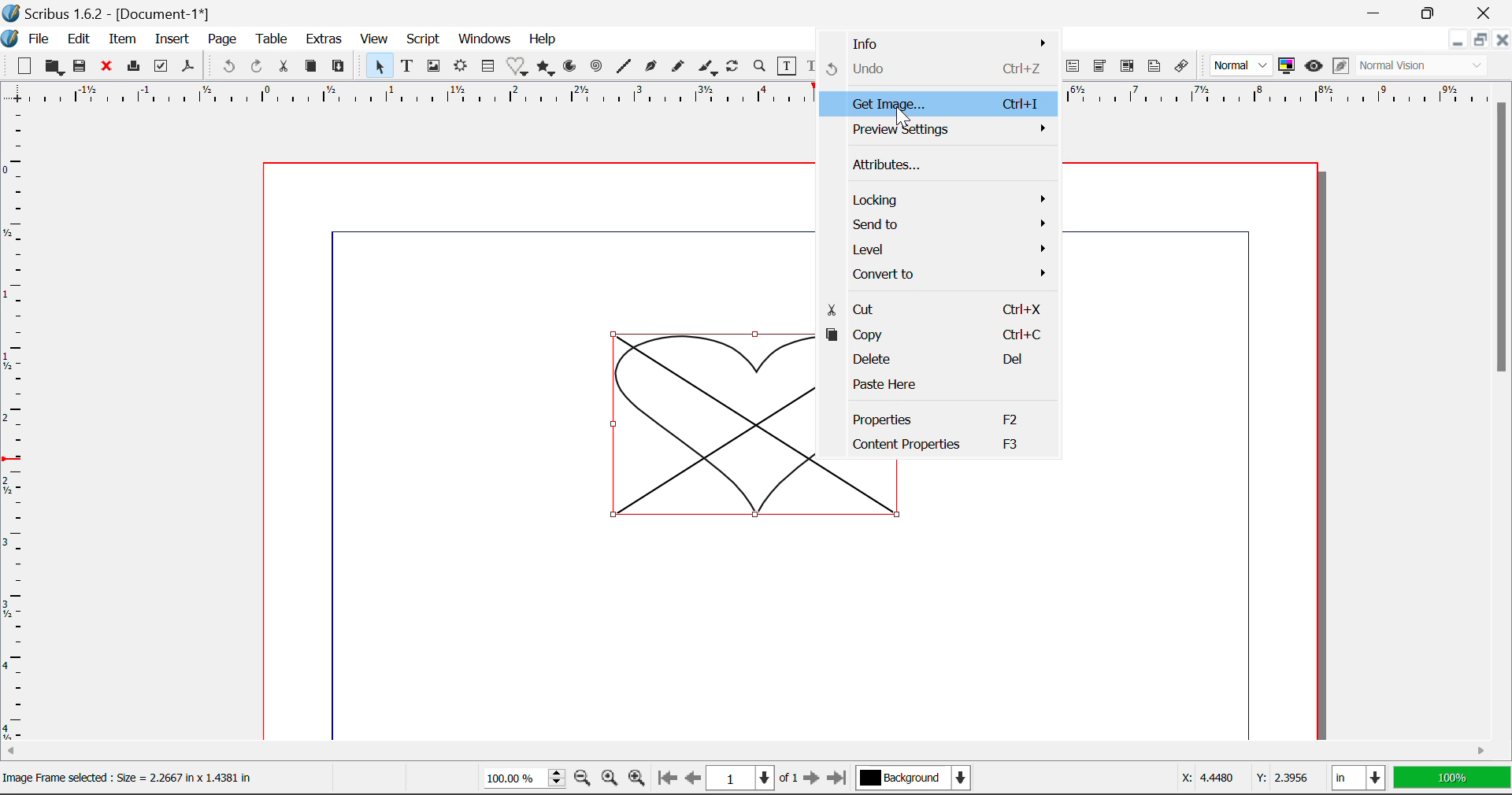 The image size is (1512, 795). What do you see at coordinates (939, 333) in the screenshot?
I see `Copy` at bounding box center [939, 333].